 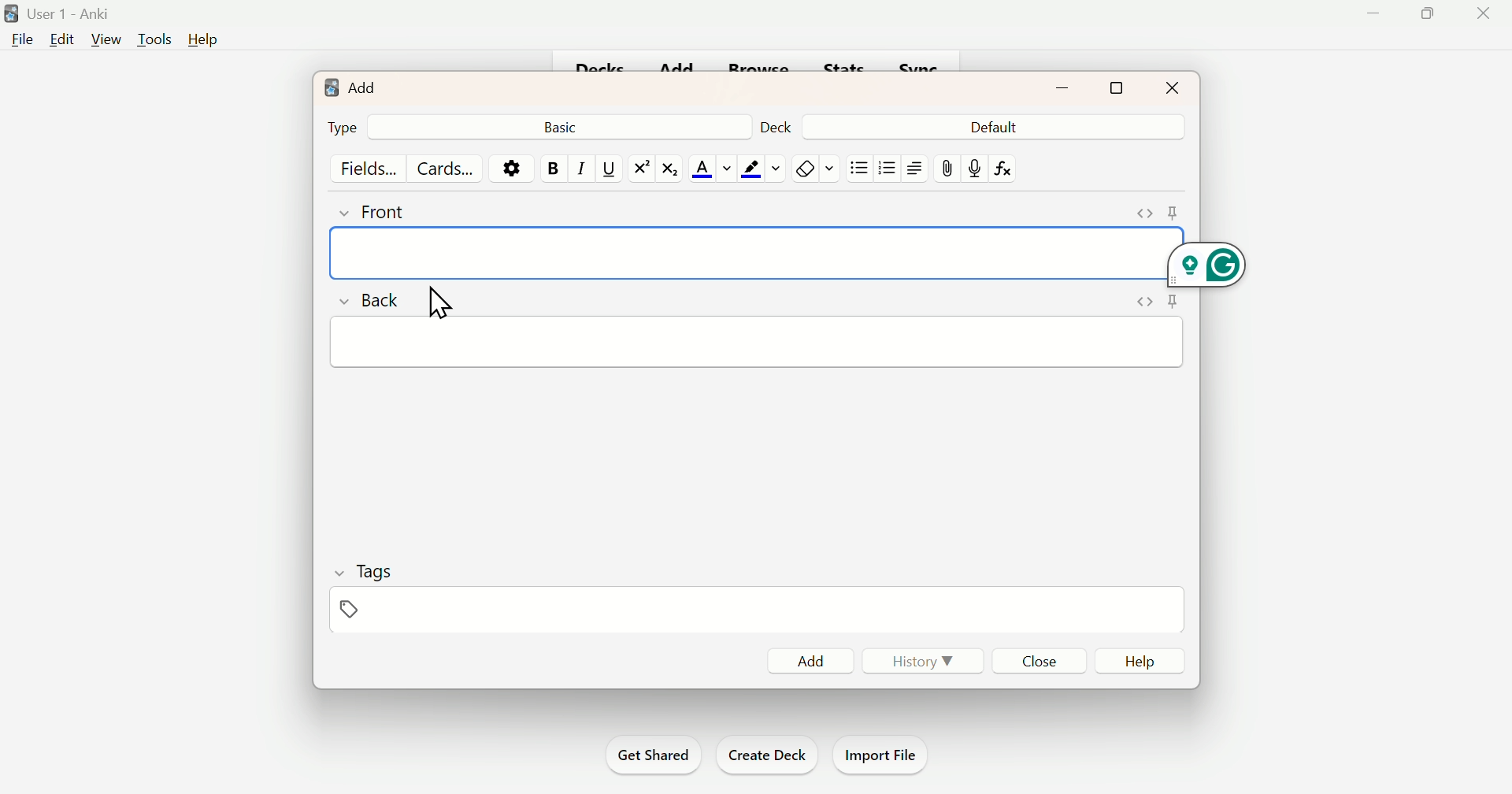 What do you see at coordinates (378, 570) in the screenshot?
I see `Tags` at bounding box center [378, 570].